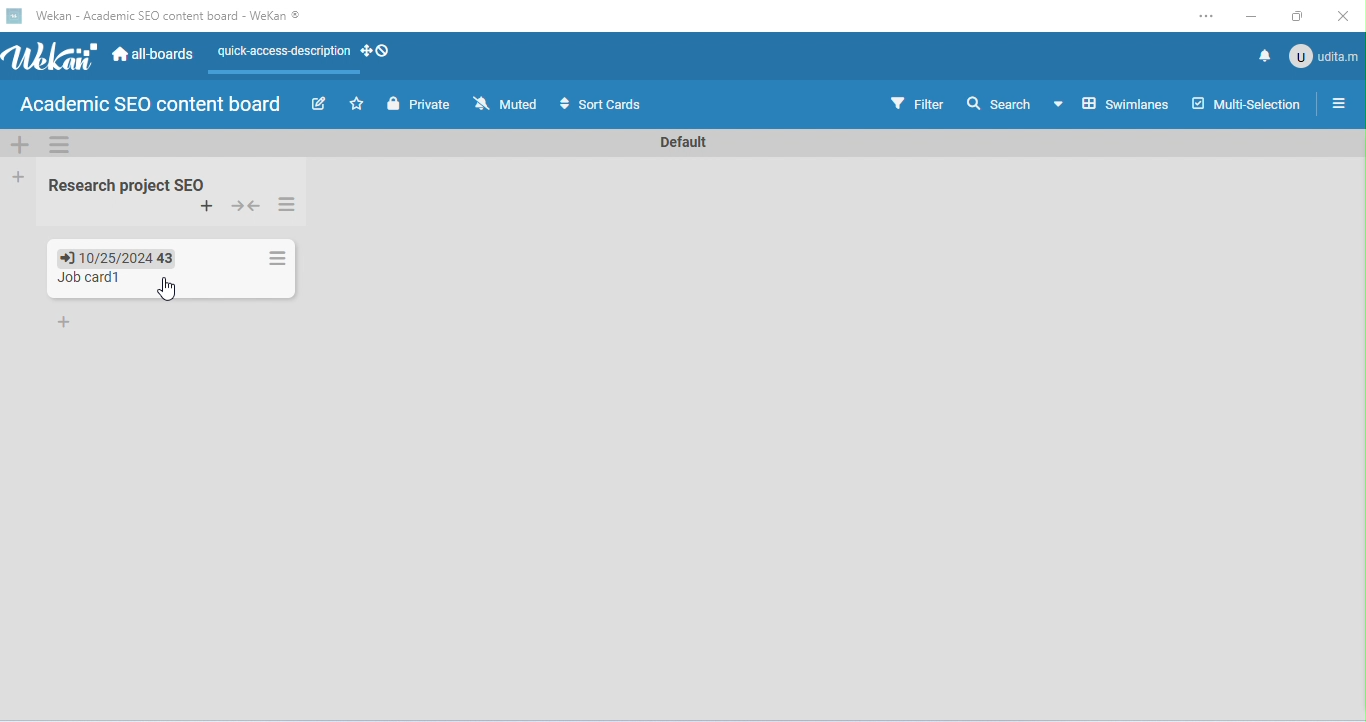 The height and width of the screenshot is (722, 1366). Describe the element at coordinates (1324, 54) in the screenshot. I see `admin` at that location.